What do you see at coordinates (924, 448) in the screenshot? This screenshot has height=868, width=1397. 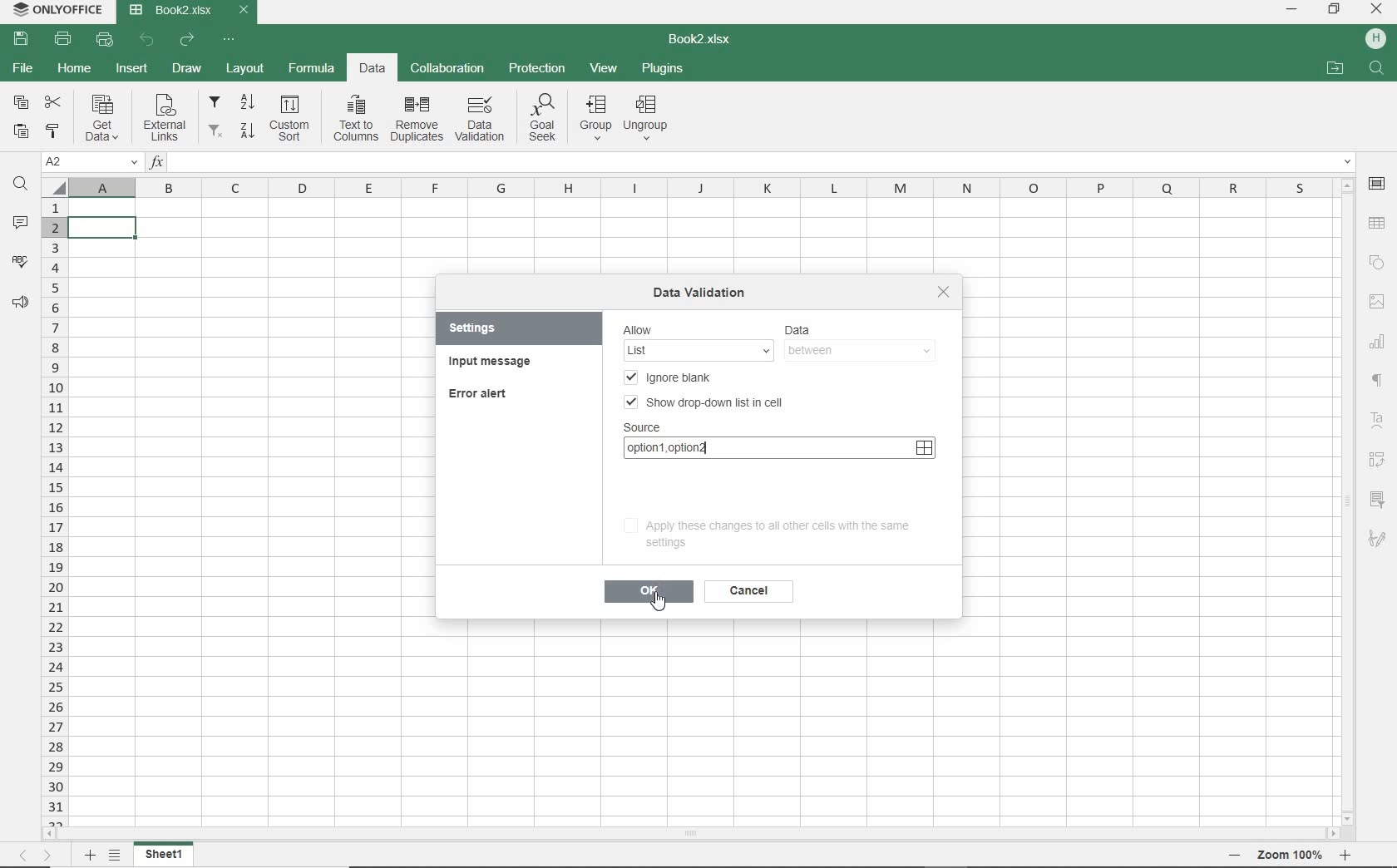 I see `SELECT DATE` at bounding box center [924, 448].